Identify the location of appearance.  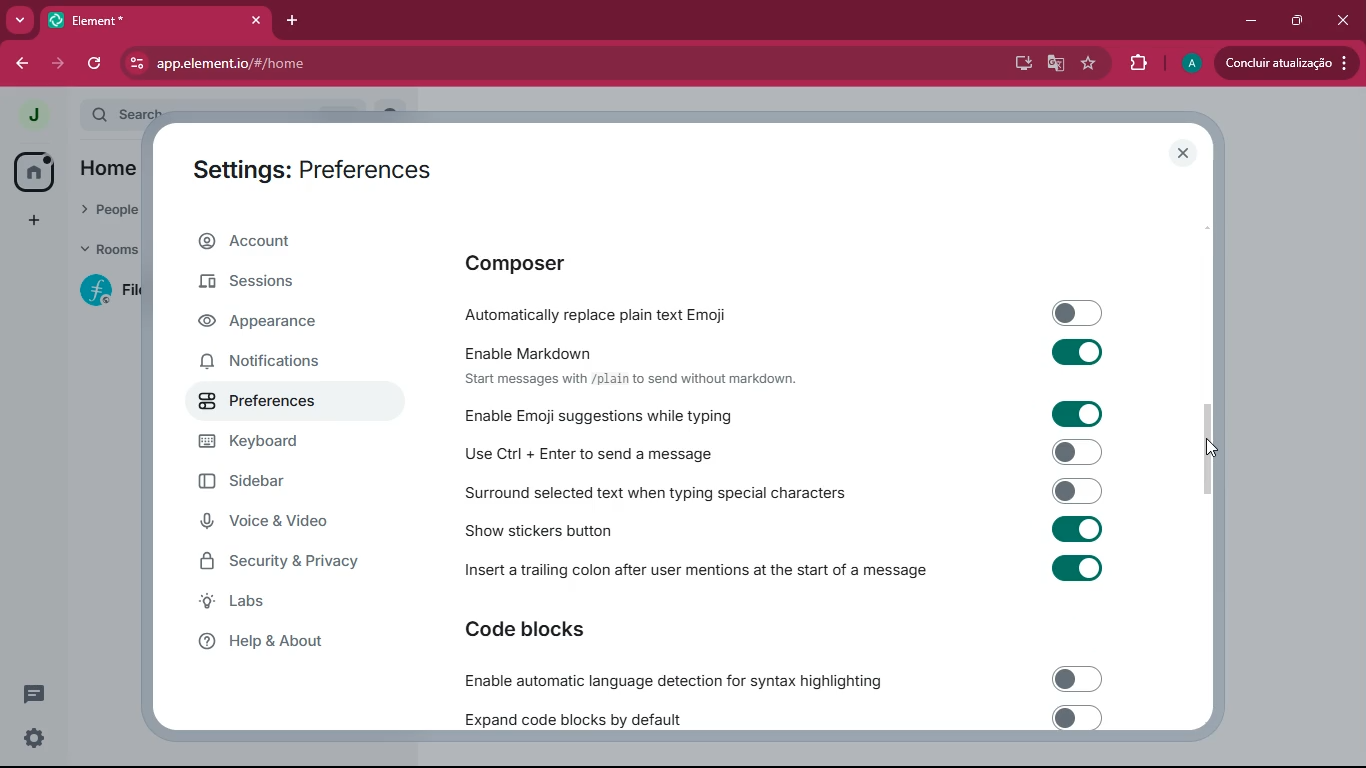
(268, 325).